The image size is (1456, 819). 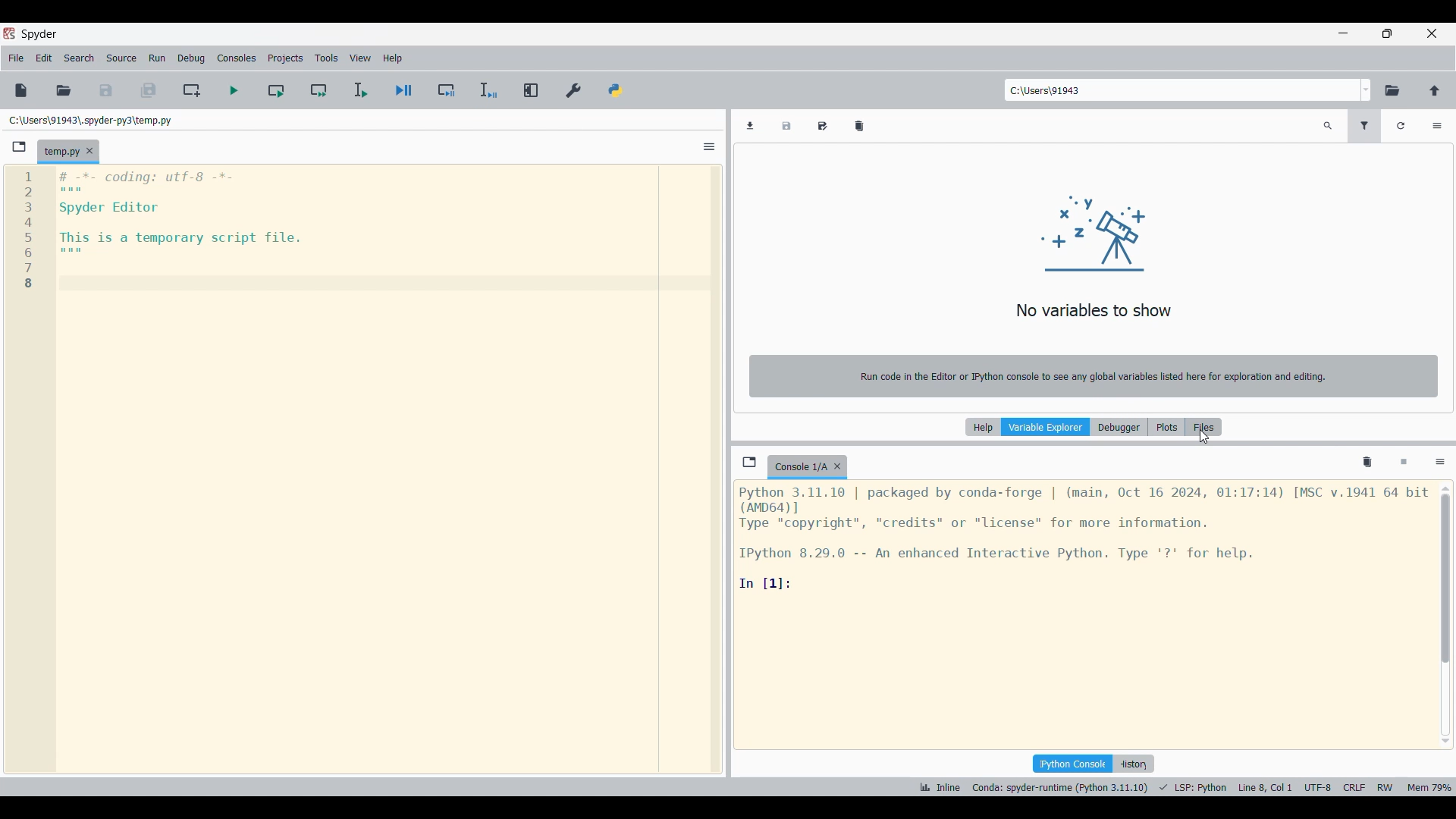 What do you see at coordinates (749, 462) in the screenshot?
I see `Browse tabs` at bounding box center [749, 462].